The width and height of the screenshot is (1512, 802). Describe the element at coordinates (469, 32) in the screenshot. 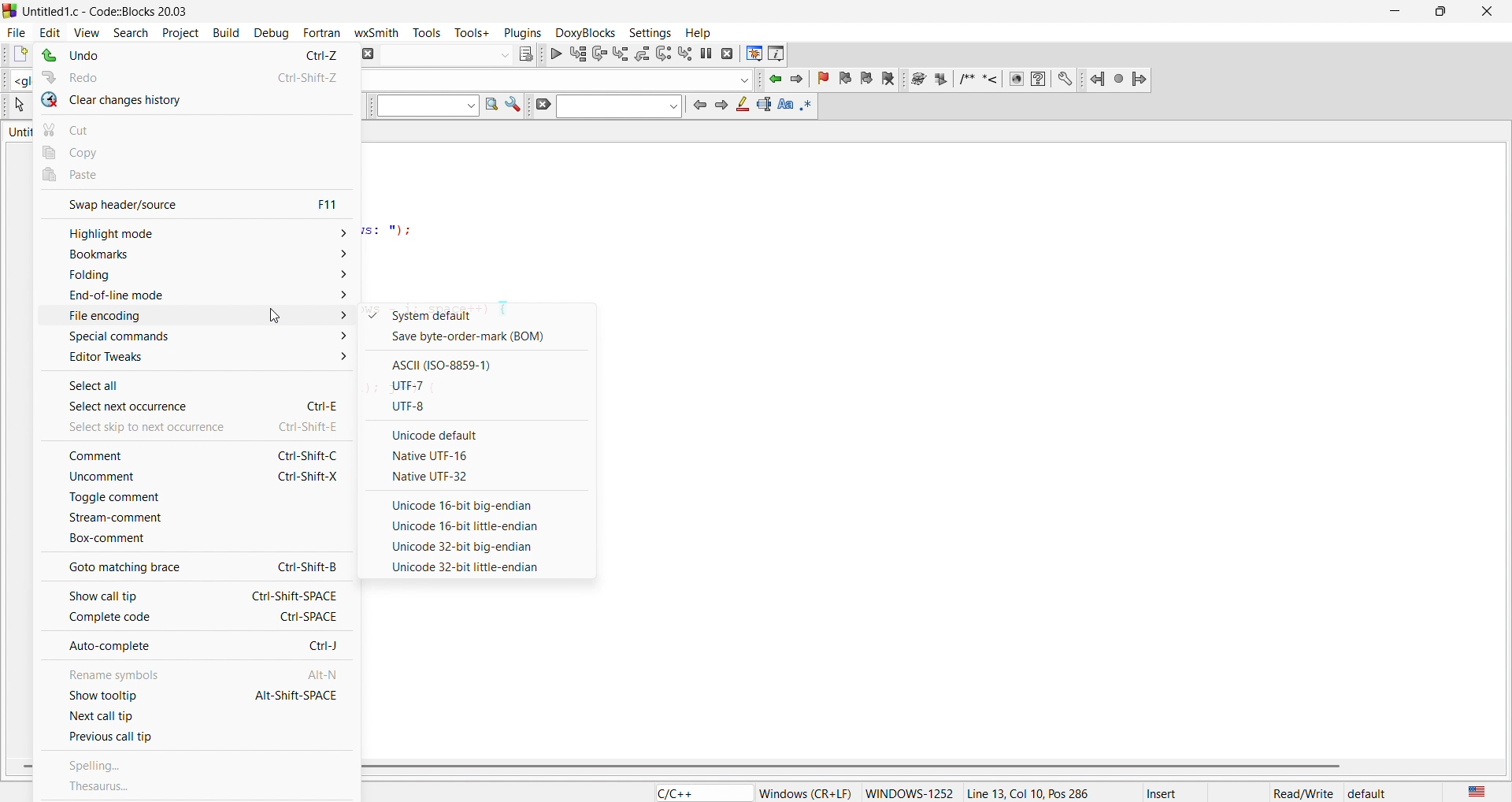

I see `tools+` at that location.